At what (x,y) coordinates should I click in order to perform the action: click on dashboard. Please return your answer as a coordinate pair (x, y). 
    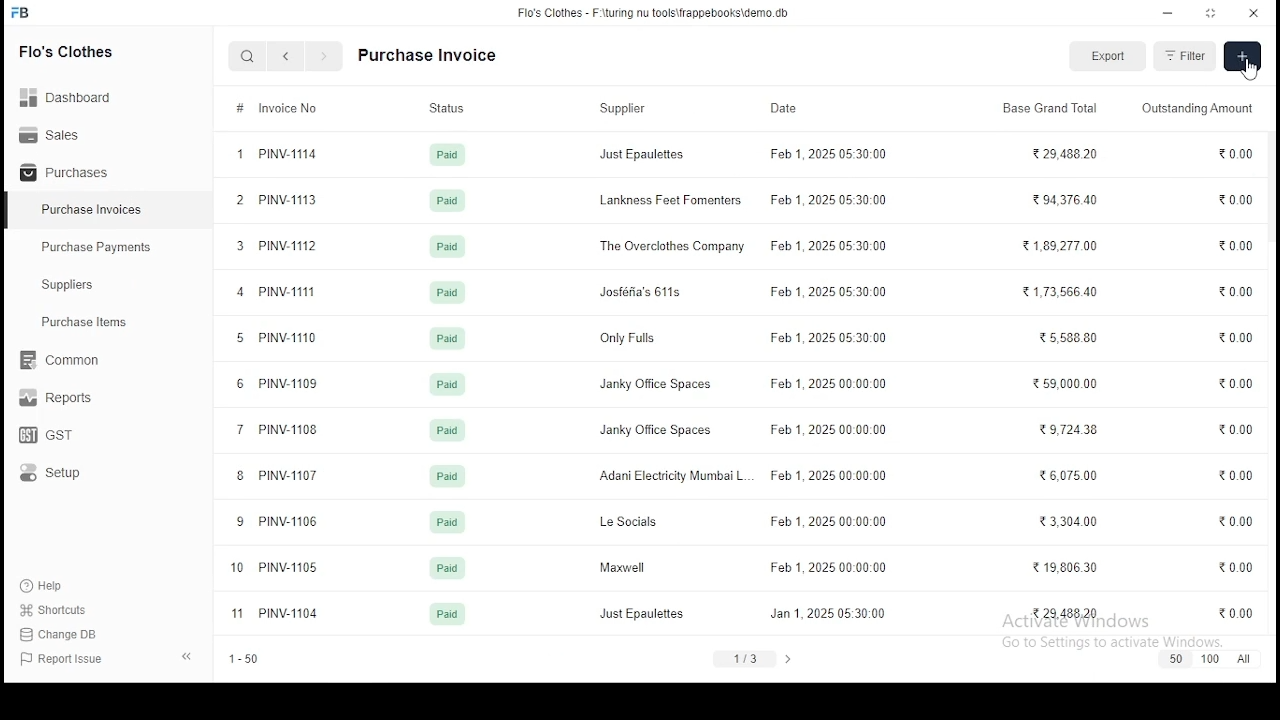
    Looking at the image, I should click on (75, 91).